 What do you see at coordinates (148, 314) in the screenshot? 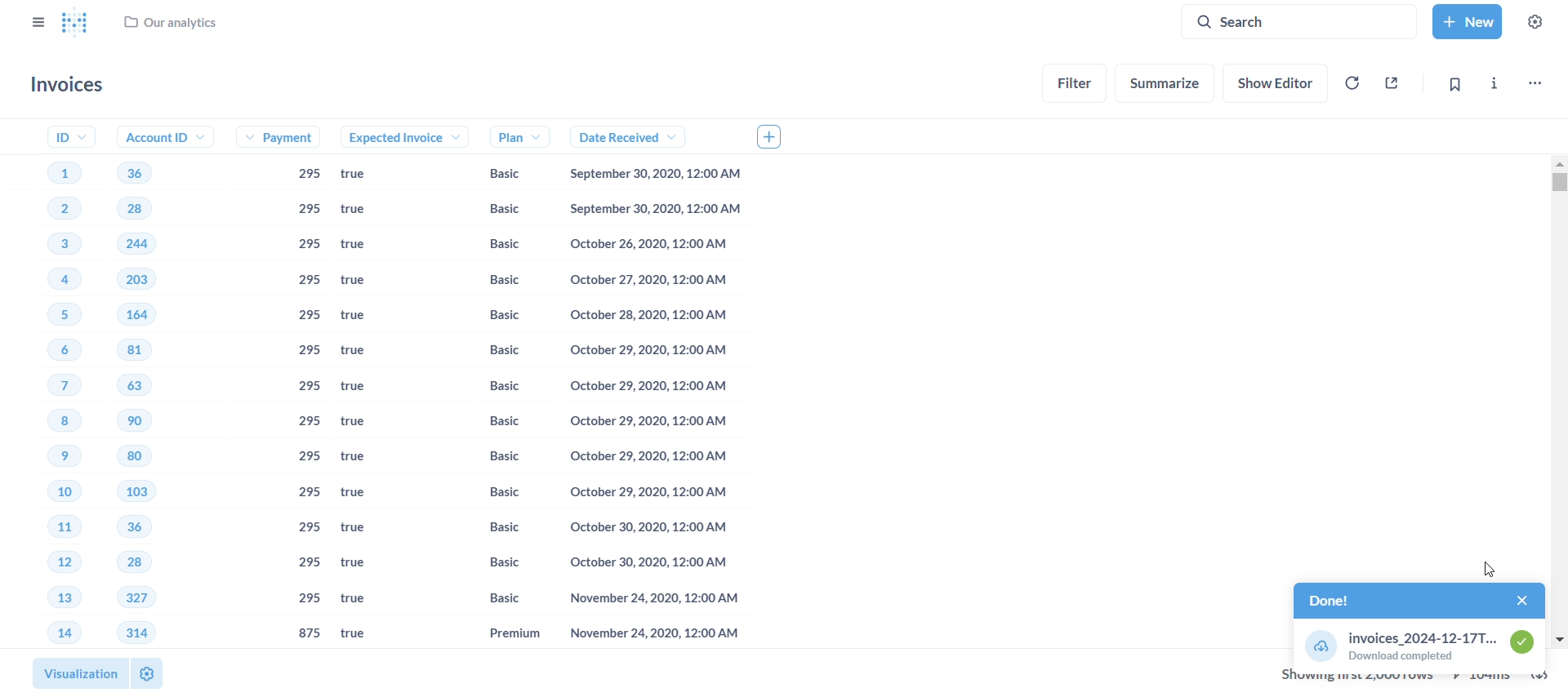
I see `164` at bounding box center [148, 314].